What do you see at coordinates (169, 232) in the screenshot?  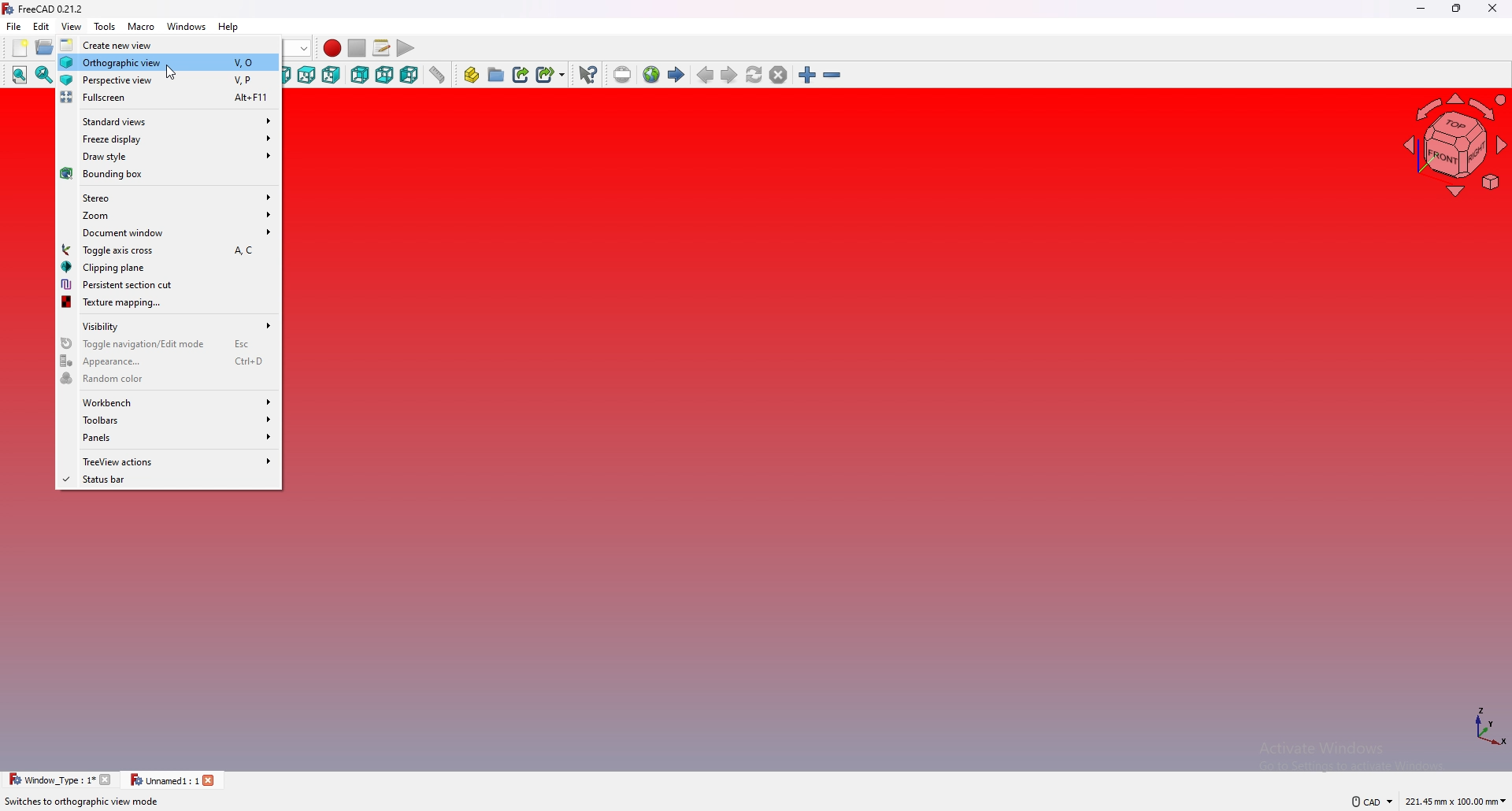 I see `document window` at bounding box center [169, 232].